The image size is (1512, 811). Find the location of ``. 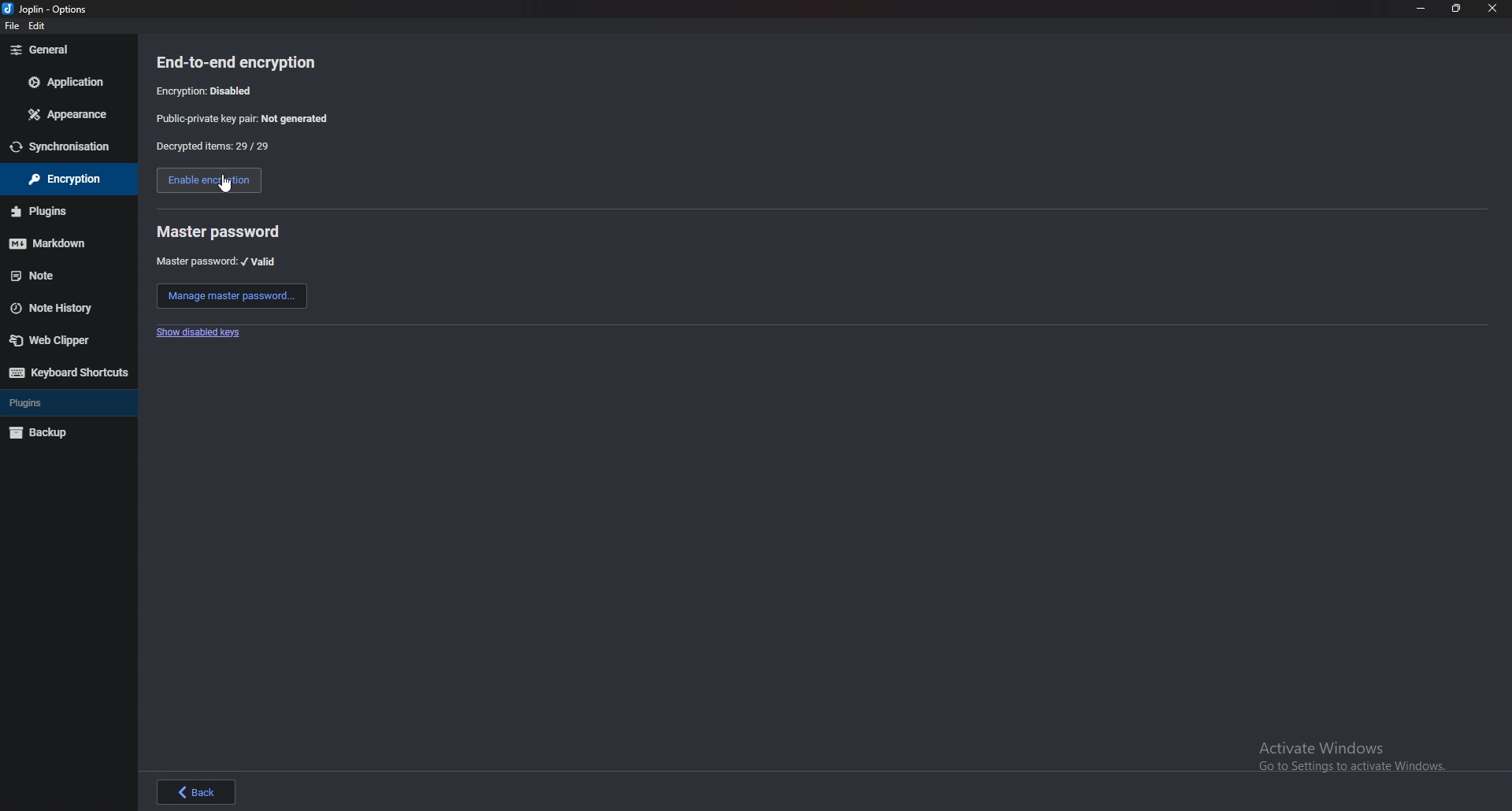

 is located at coordinates (1360, 757).